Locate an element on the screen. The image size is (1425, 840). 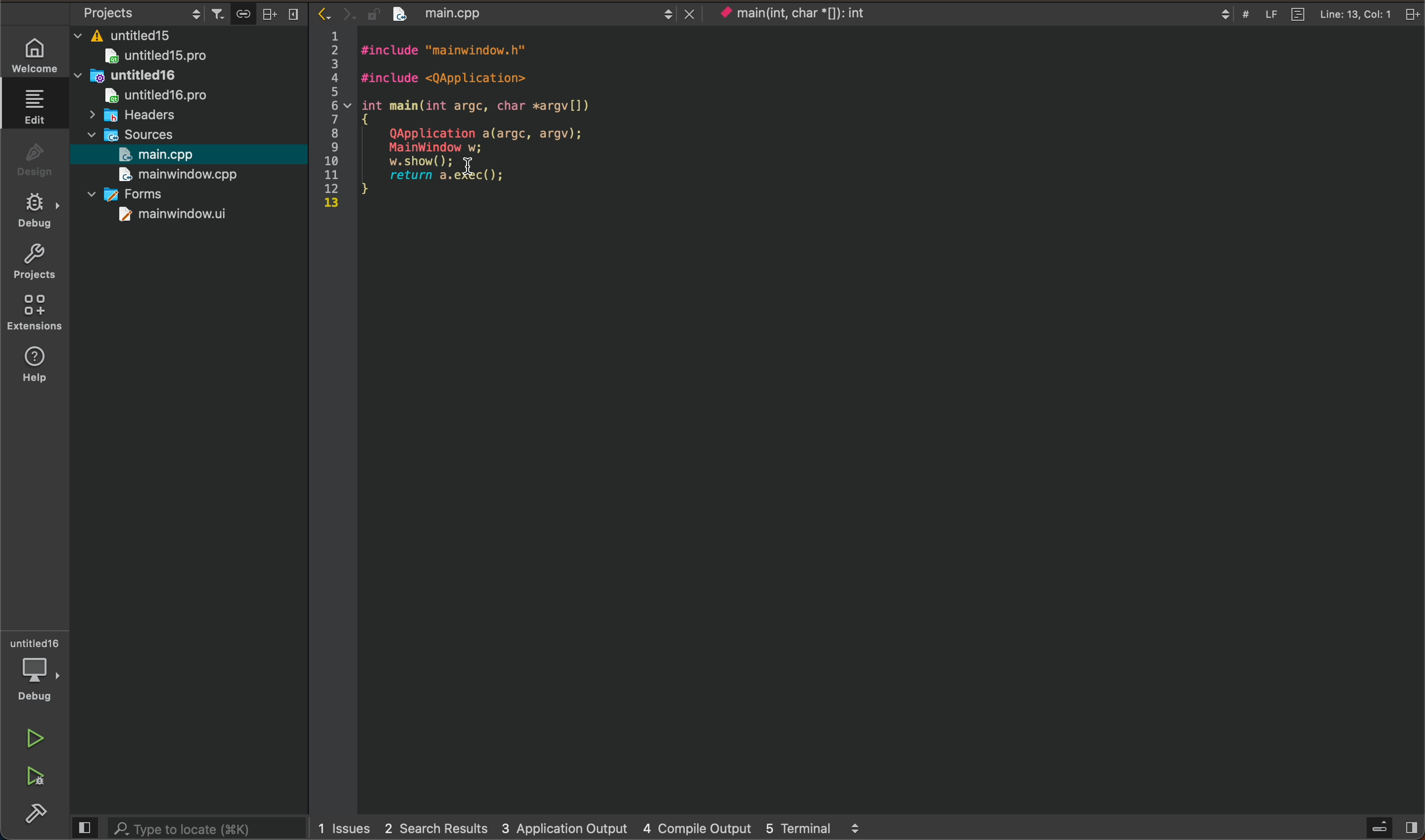
file info is located at coordinates (1315, 14).